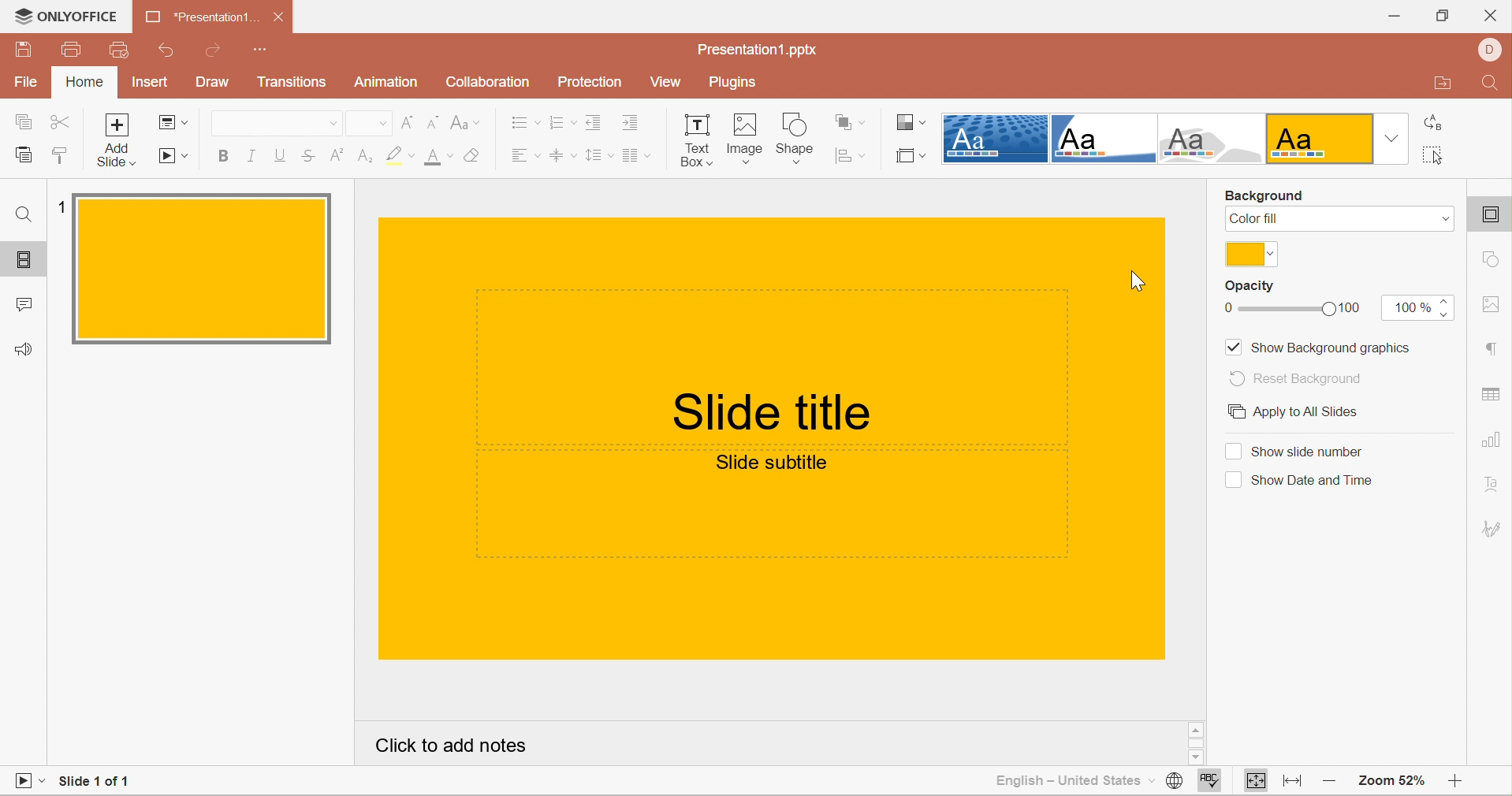  Describe the element at coordinates (1257, 781) in the screenshot. I see `Fit to slide` at that location.